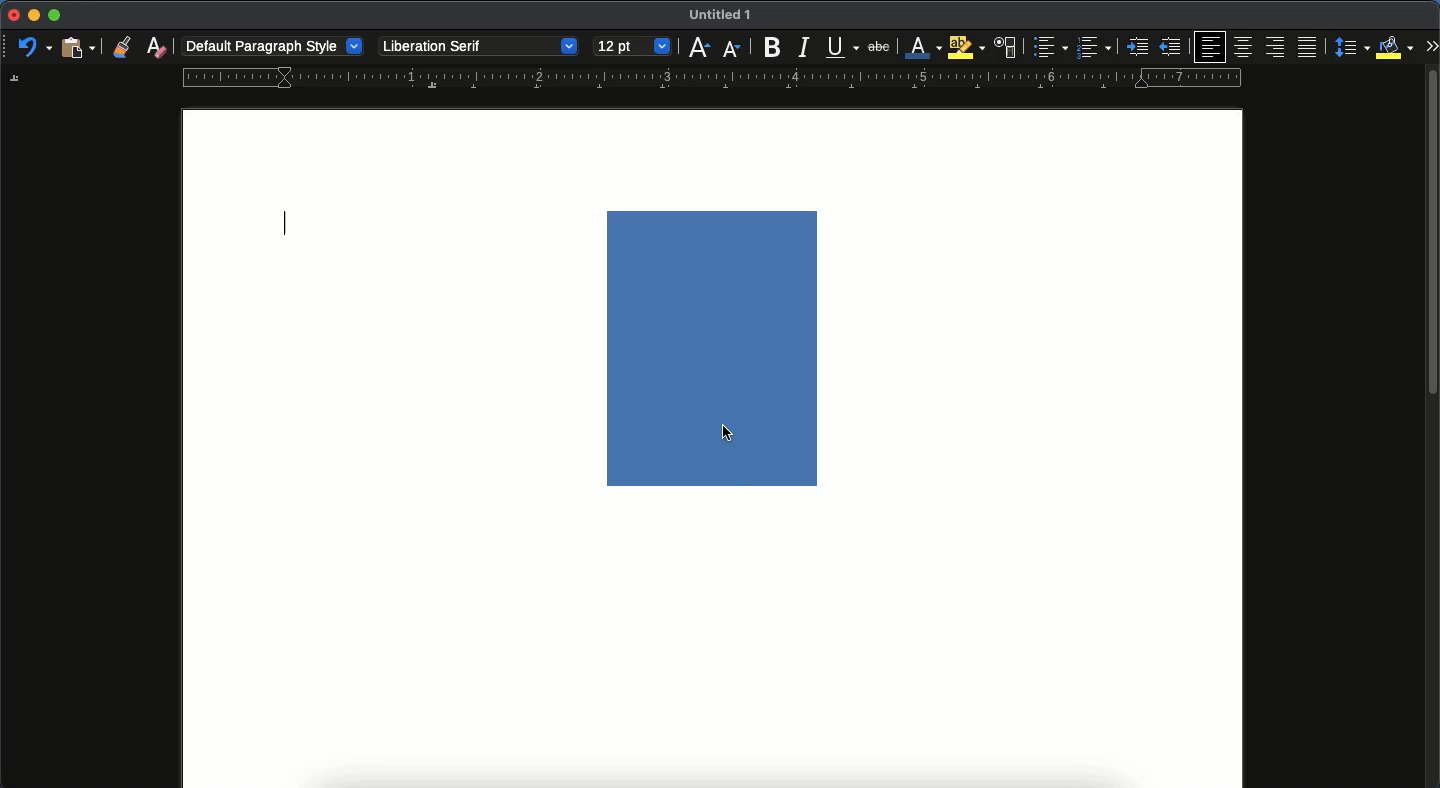 This screenshot has height=788, width=1440. Describe the element at coordinates (802, 51) in the screenshot. I see `italic` at that location.